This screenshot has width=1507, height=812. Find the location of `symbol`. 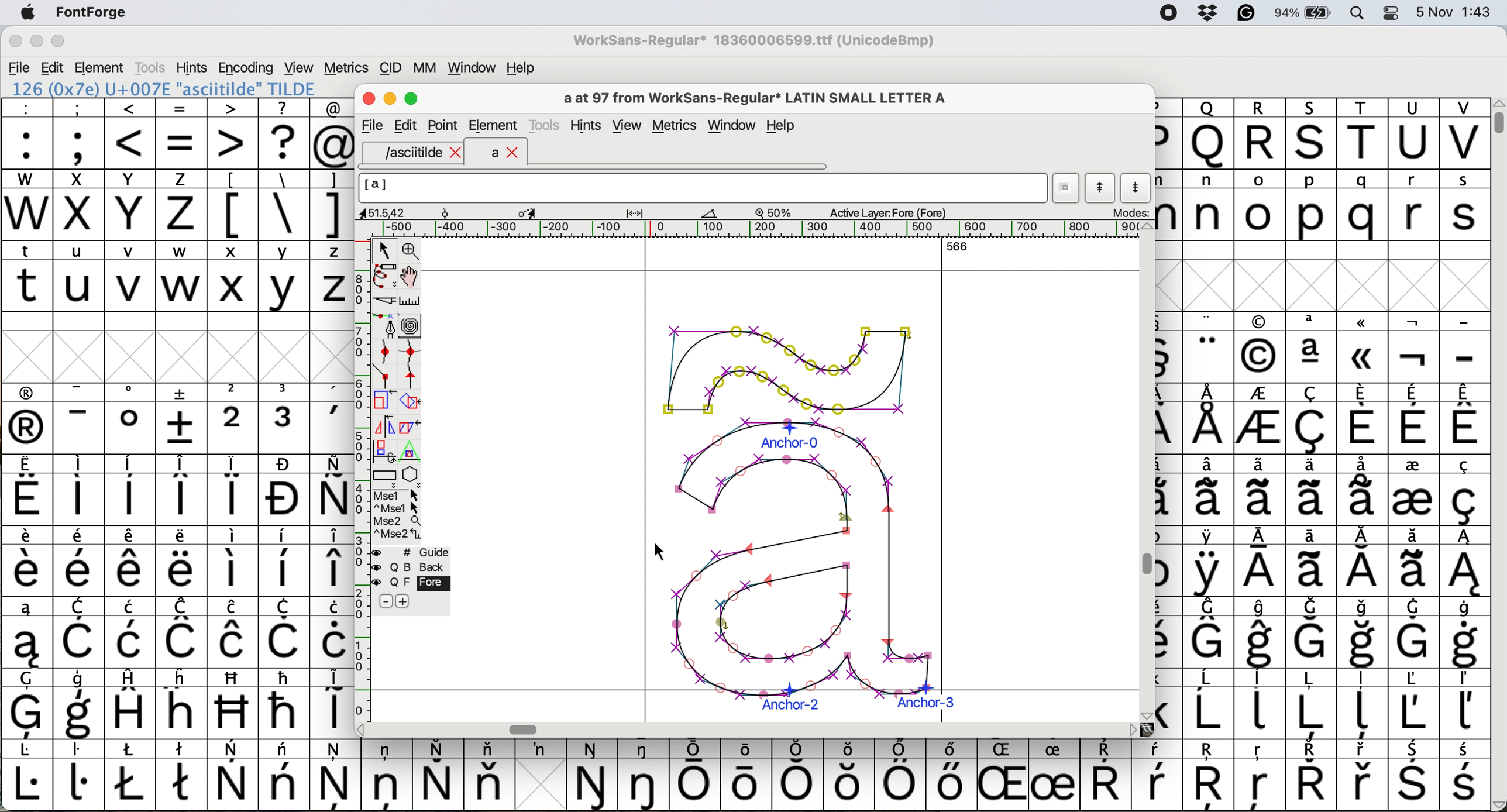

symbol is located at coordinates (286, 418).